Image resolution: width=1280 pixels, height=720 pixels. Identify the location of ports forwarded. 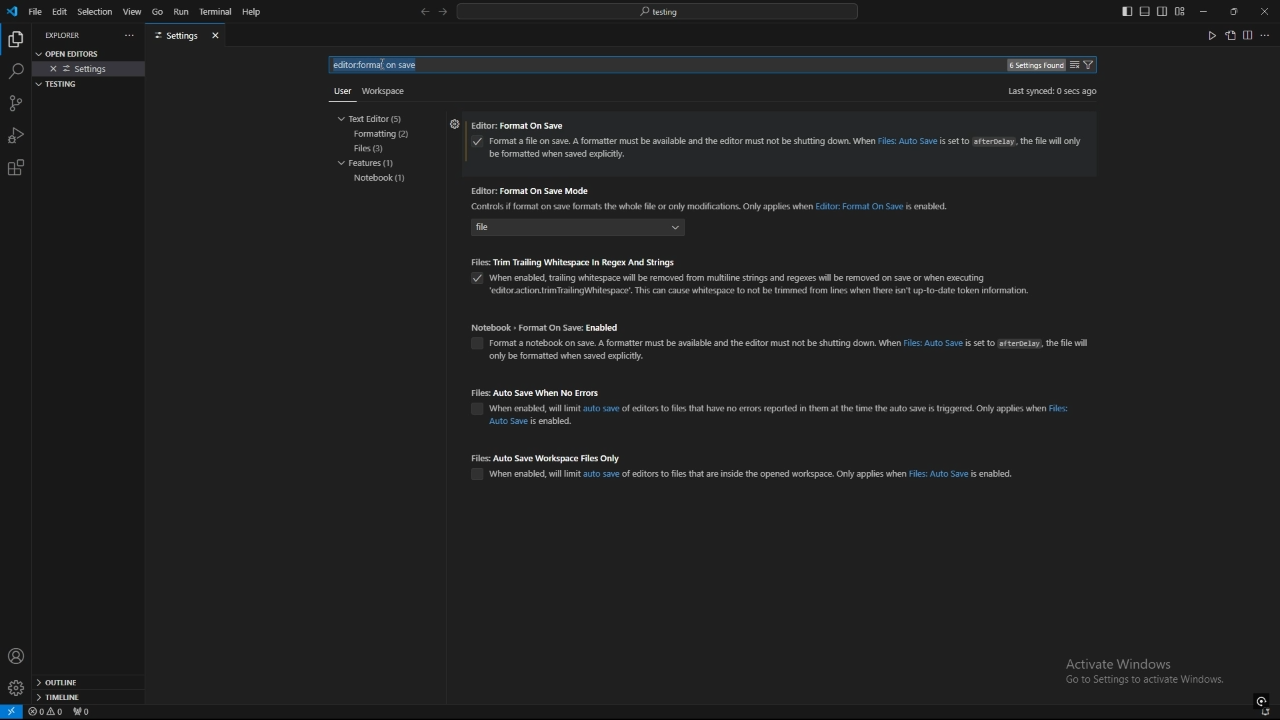
(85, 713).